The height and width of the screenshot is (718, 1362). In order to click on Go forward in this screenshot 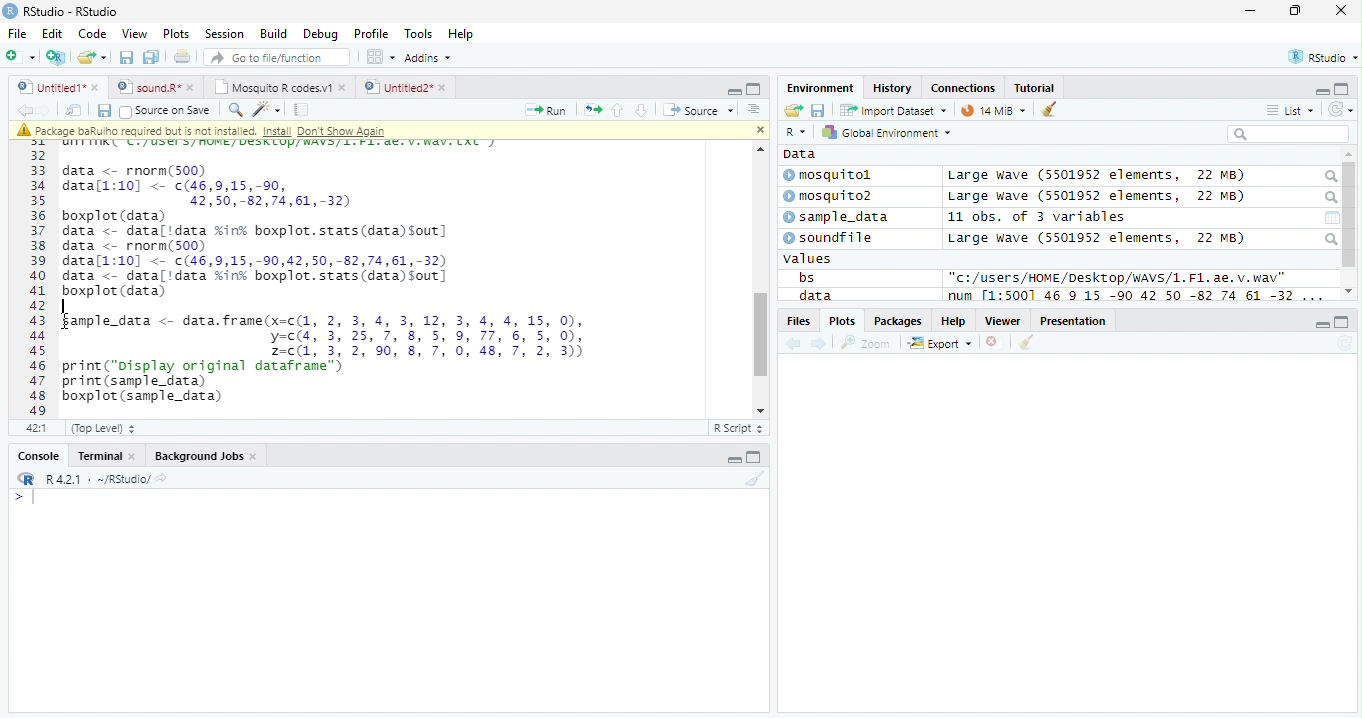, I will do `click(44, 110)`.